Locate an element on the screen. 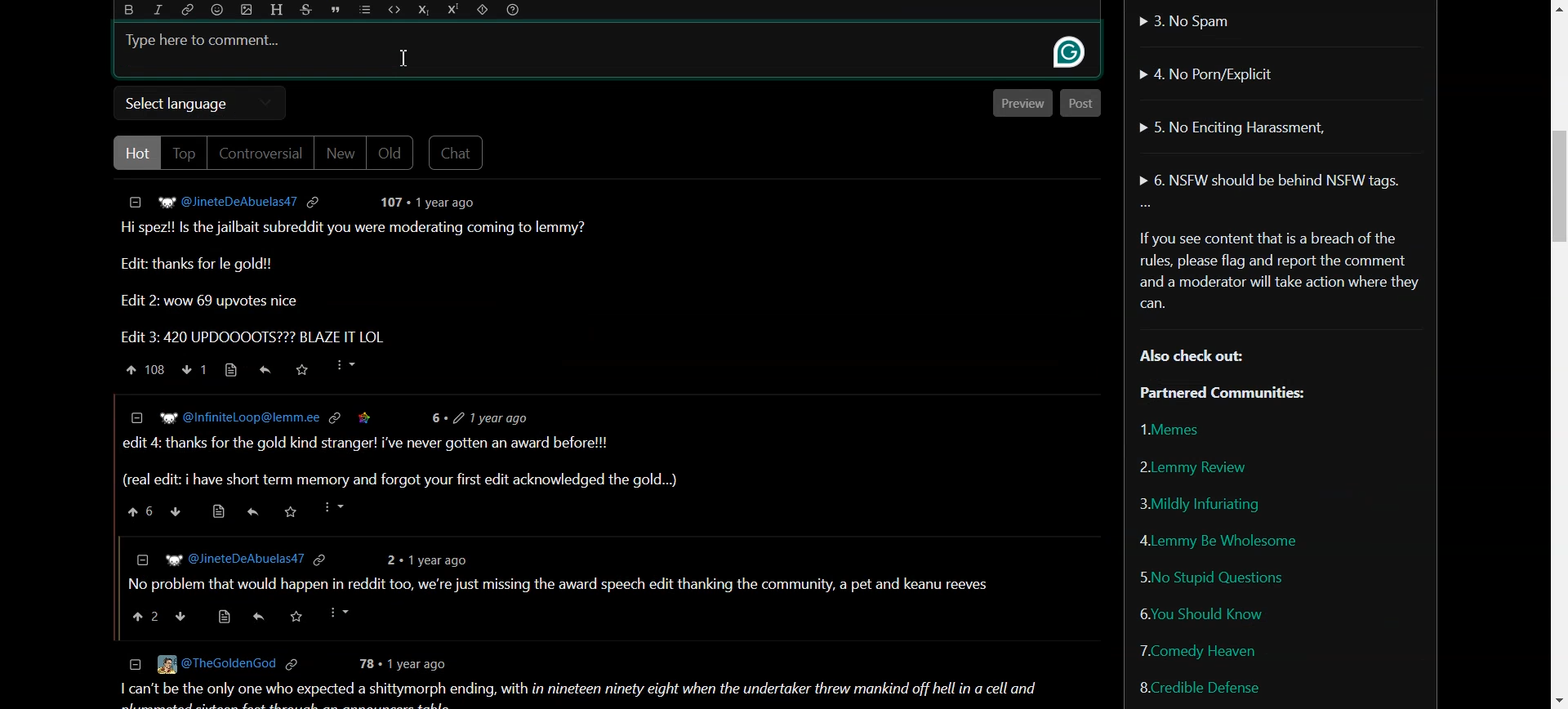 The width and height of the screenshot is (1568, 709). gram marly is located at coordinates (1058, 52).